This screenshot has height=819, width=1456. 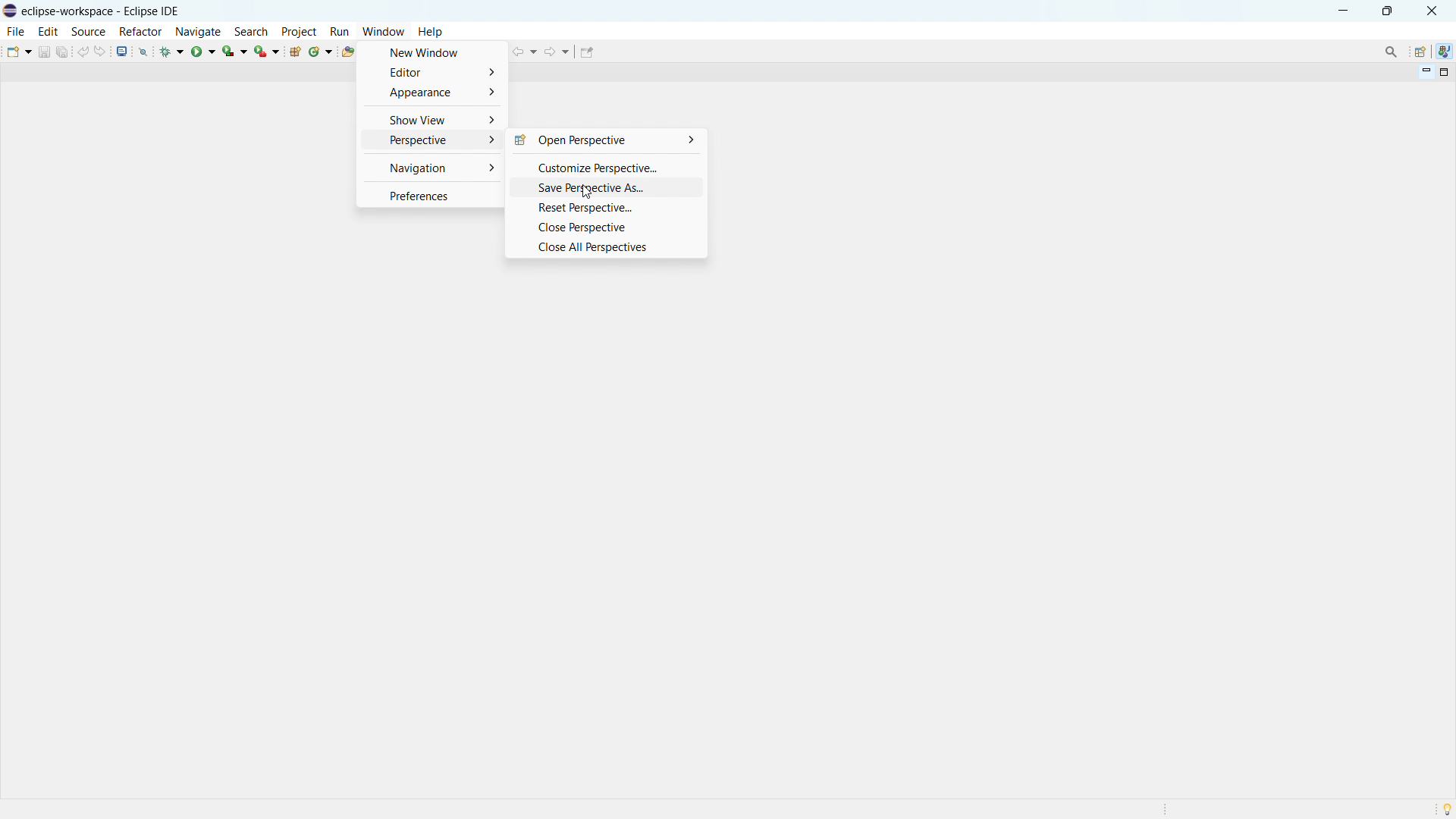 What do you see at coordinates (1391, 51) in the screenshot?
I see `access command and other items` at bounding box center [1391, 51].